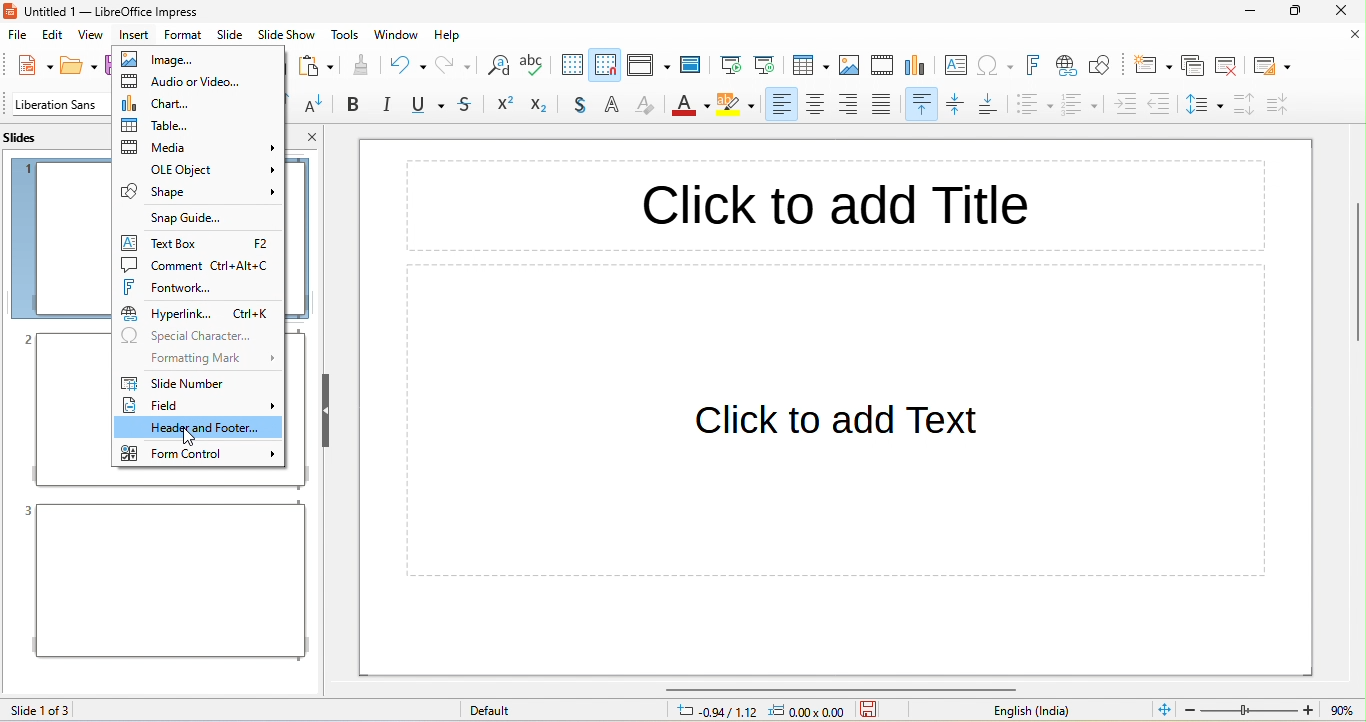 This screenshot has width=1366, height=722. I want to click on slide layout, so click(1273, 64).